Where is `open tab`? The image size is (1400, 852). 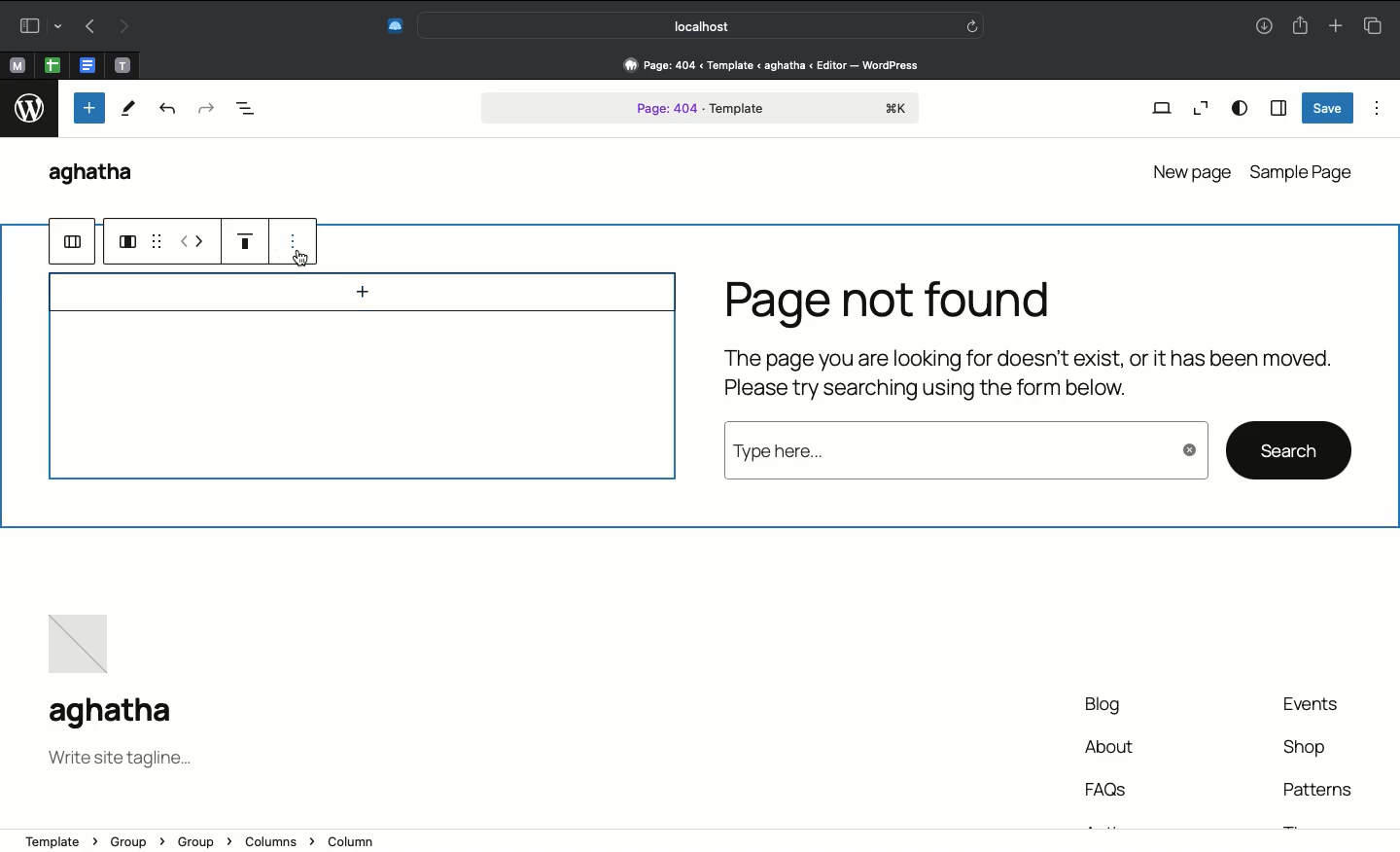
open tab is located at coordinates (17, 66).